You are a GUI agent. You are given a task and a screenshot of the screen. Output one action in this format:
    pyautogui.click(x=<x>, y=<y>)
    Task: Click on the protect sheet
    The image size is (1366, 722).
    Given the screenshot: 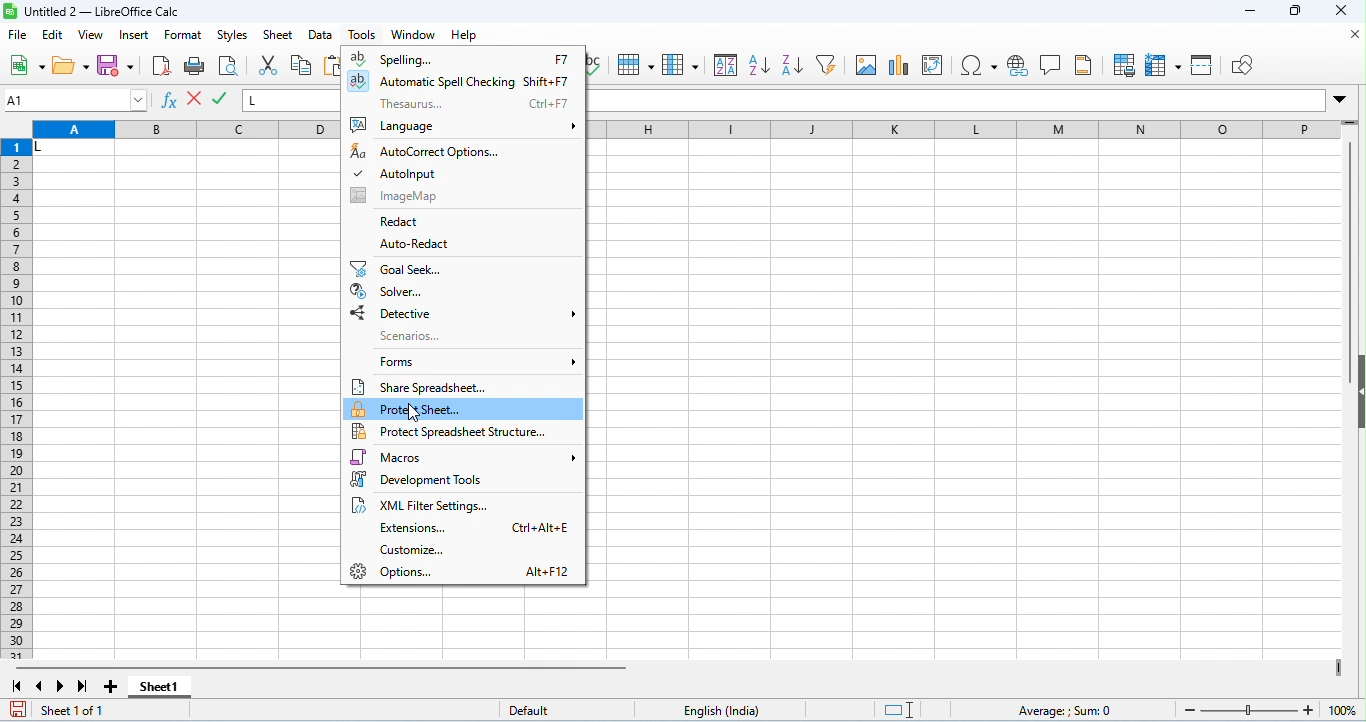 What is the action you would take?
    pyautogui.click(x=465, y=408)
    